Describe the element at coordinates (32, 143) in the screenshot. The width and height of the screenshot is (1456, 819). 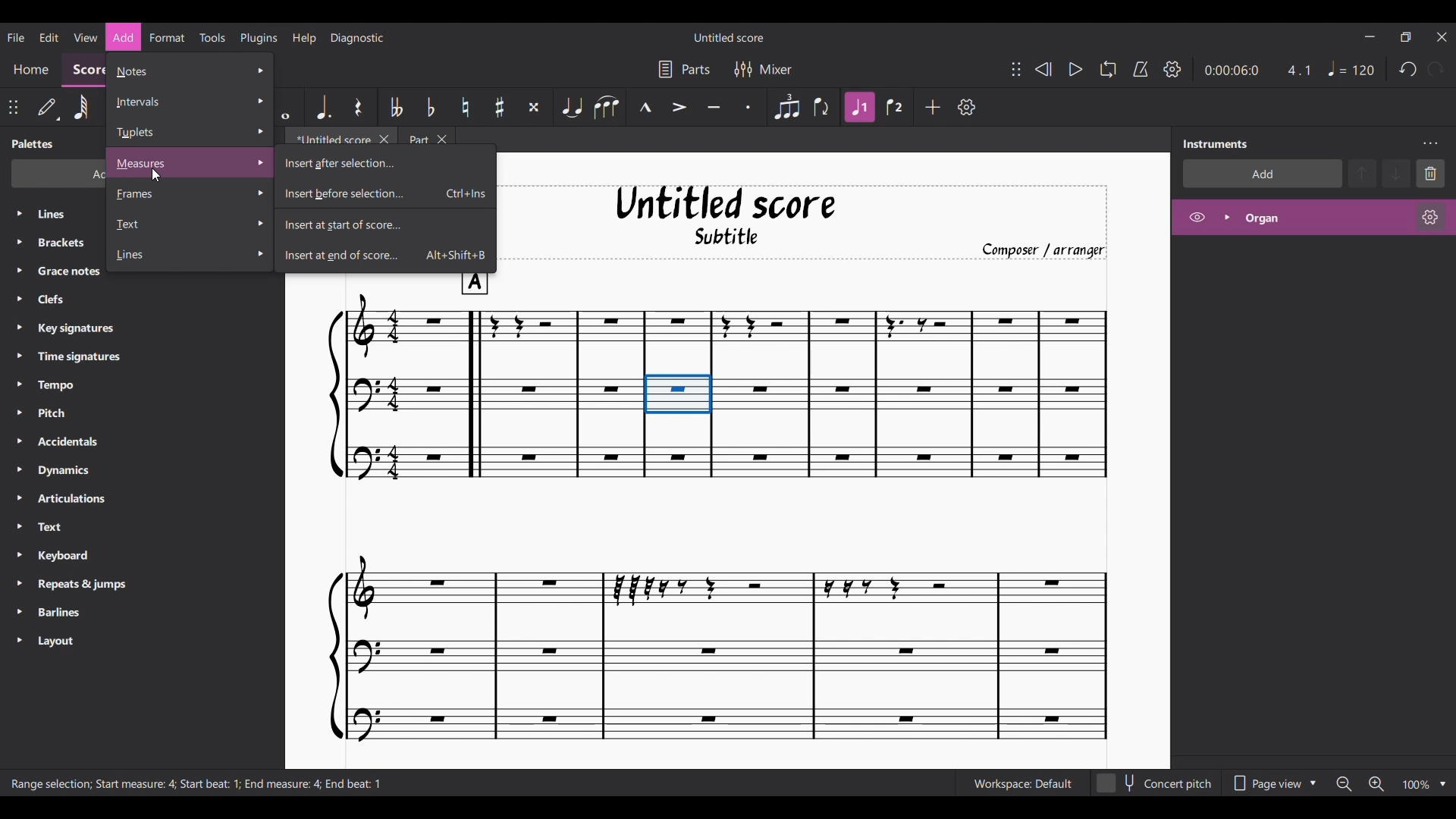
I see `Panel title` at that location.